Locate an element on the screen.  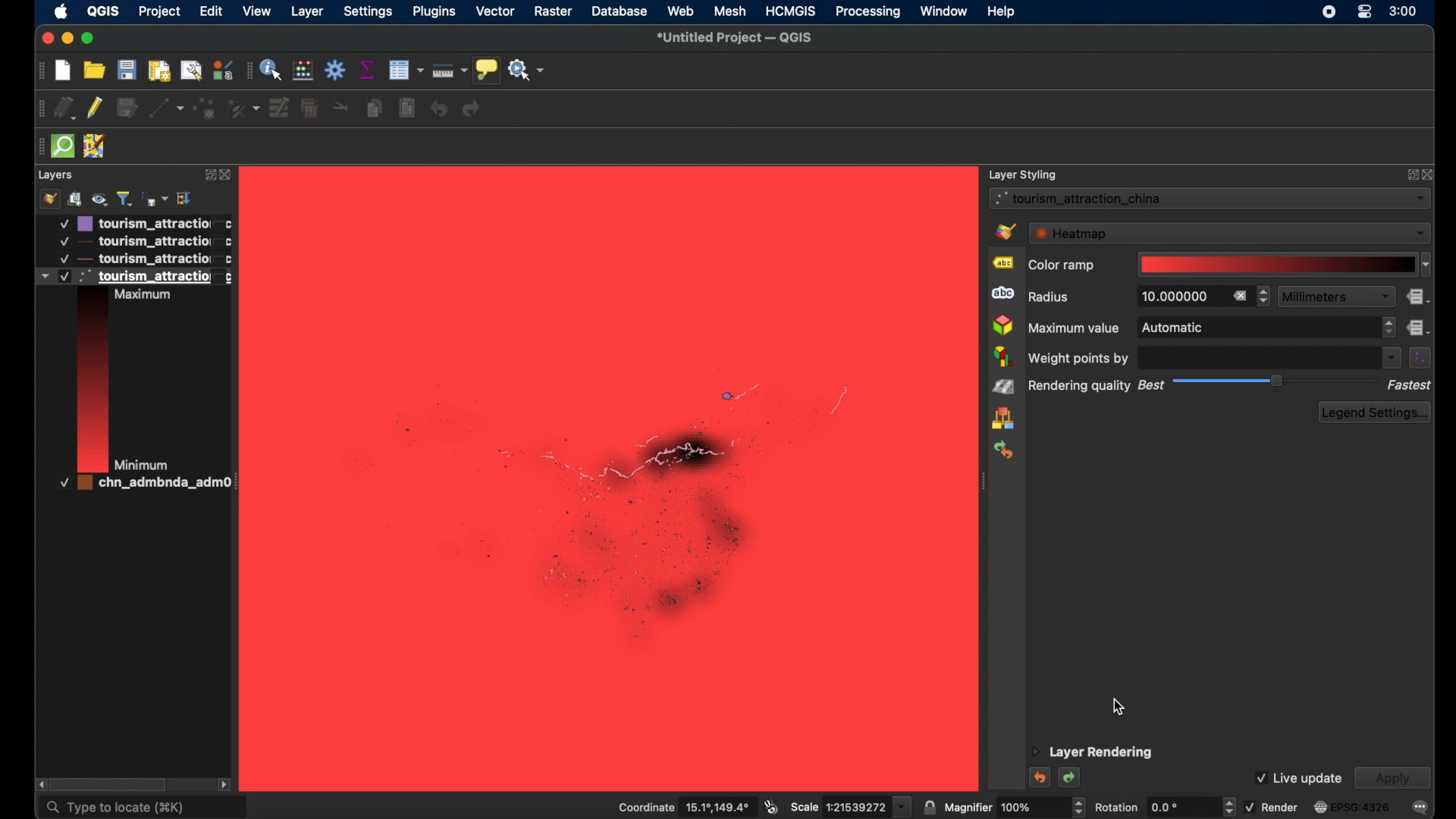
drag handle is located at coordinates (41, 71).